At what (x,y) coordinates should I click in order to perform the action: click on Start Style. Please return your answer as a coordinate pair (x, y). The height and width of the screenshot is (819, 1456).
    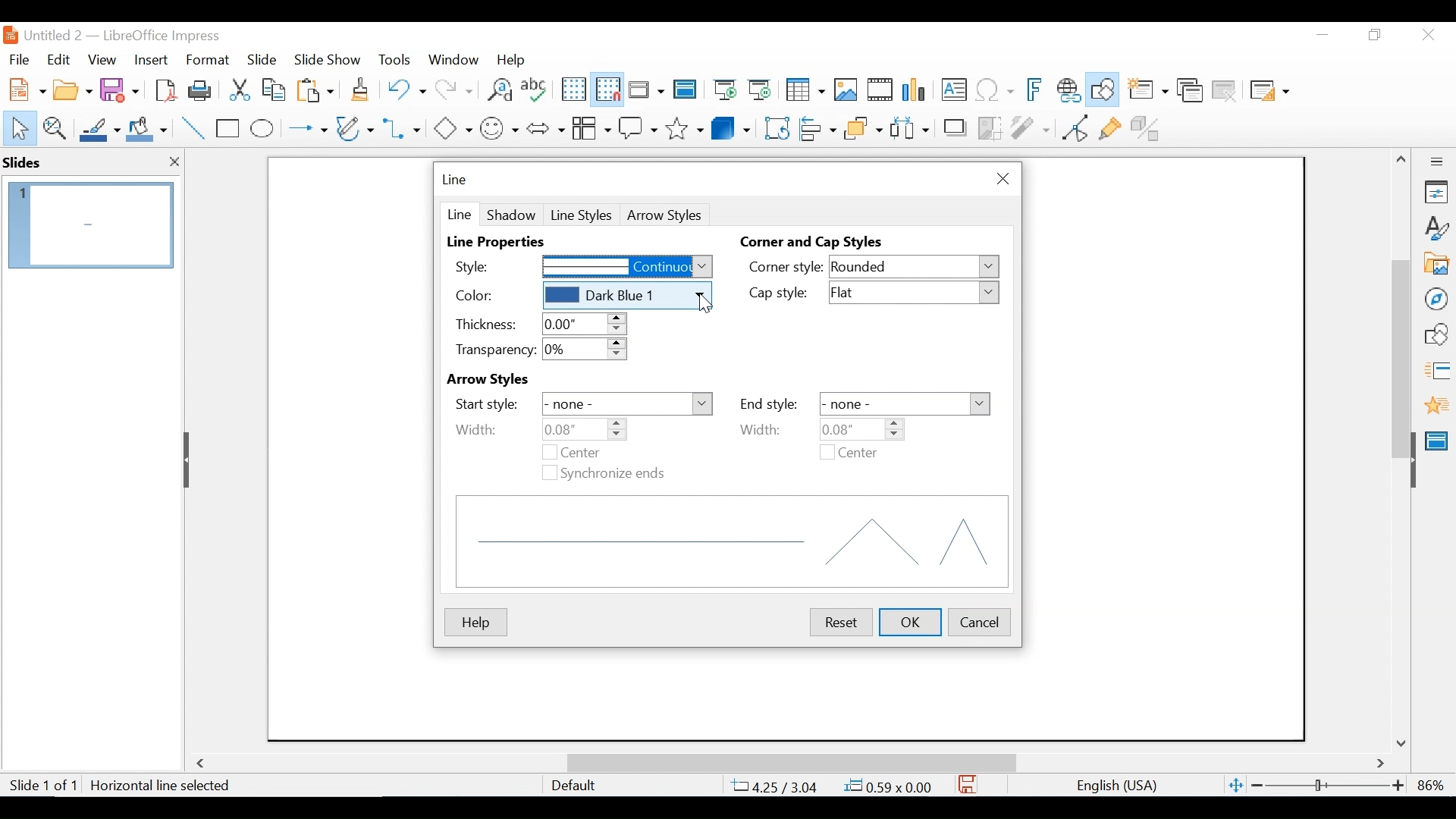
    Looking at the image, I should click on (486, 404).